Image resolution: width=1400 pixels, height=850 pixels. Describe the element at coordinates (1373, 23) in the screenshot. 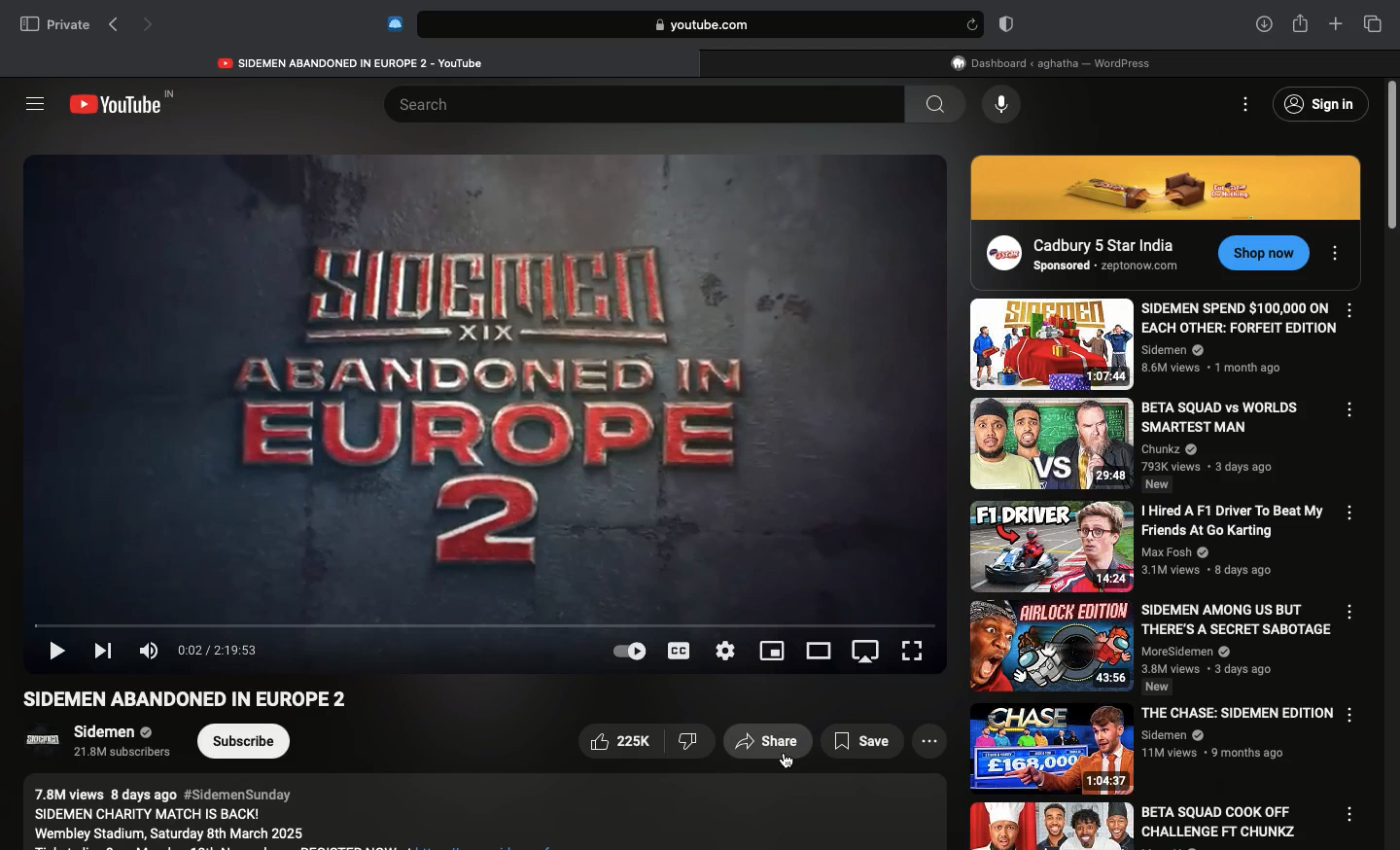

I see `Tabs` at that location.